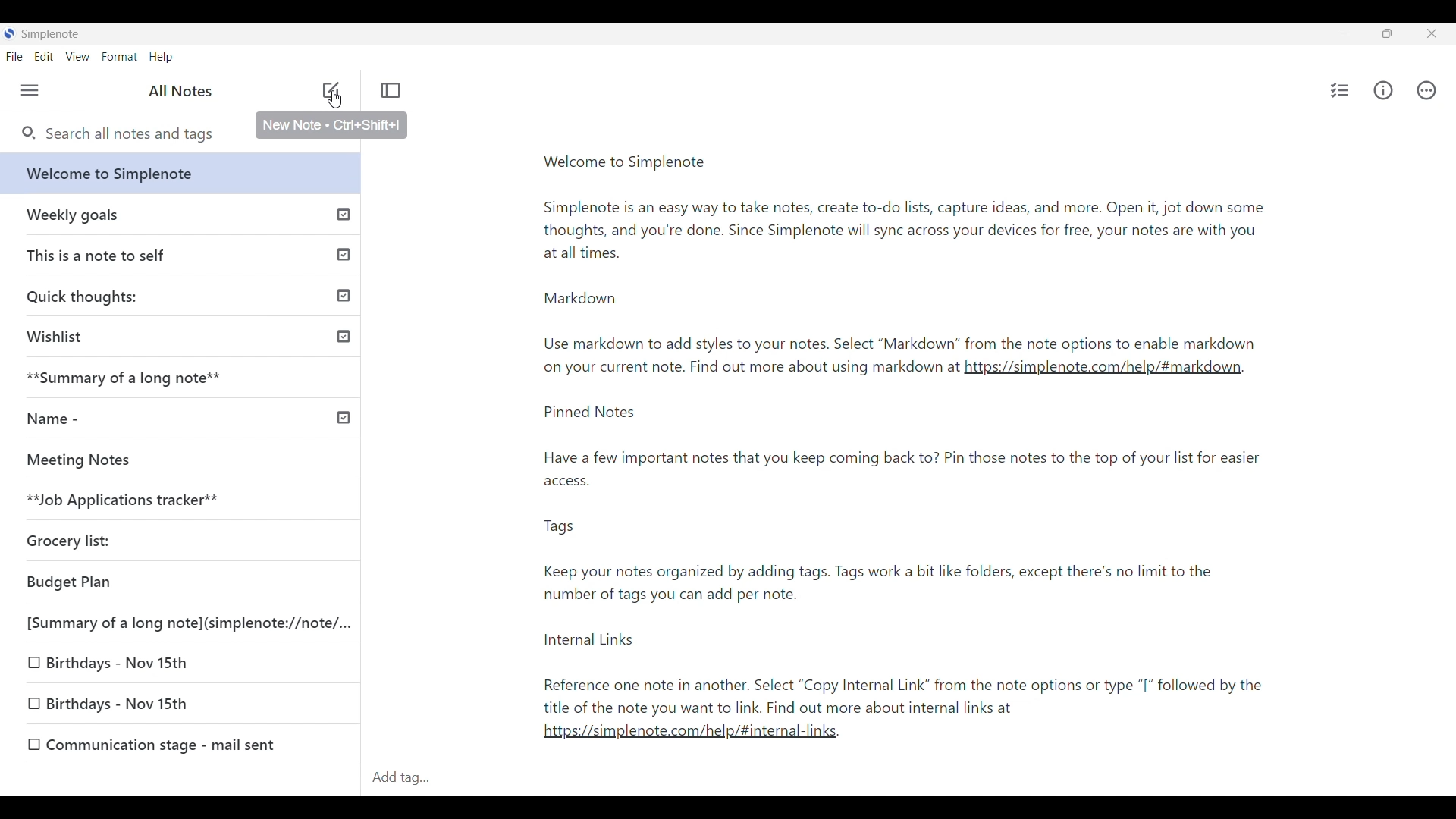 The image size is (1456, 819). I want to click on Info, so click(1383, 90).